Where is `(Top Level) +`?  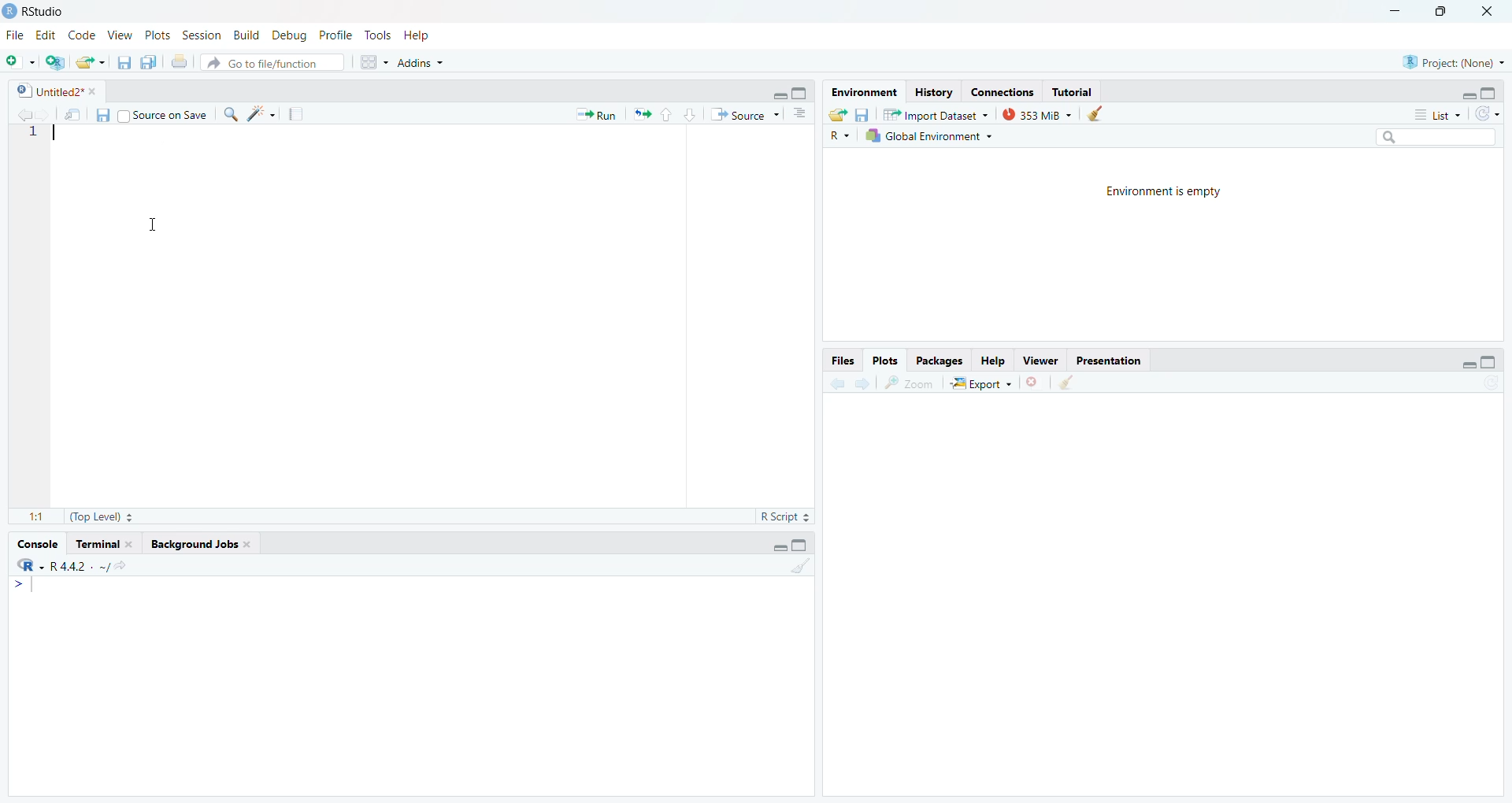 (Top Level) + is located at coordinates (103, 518).